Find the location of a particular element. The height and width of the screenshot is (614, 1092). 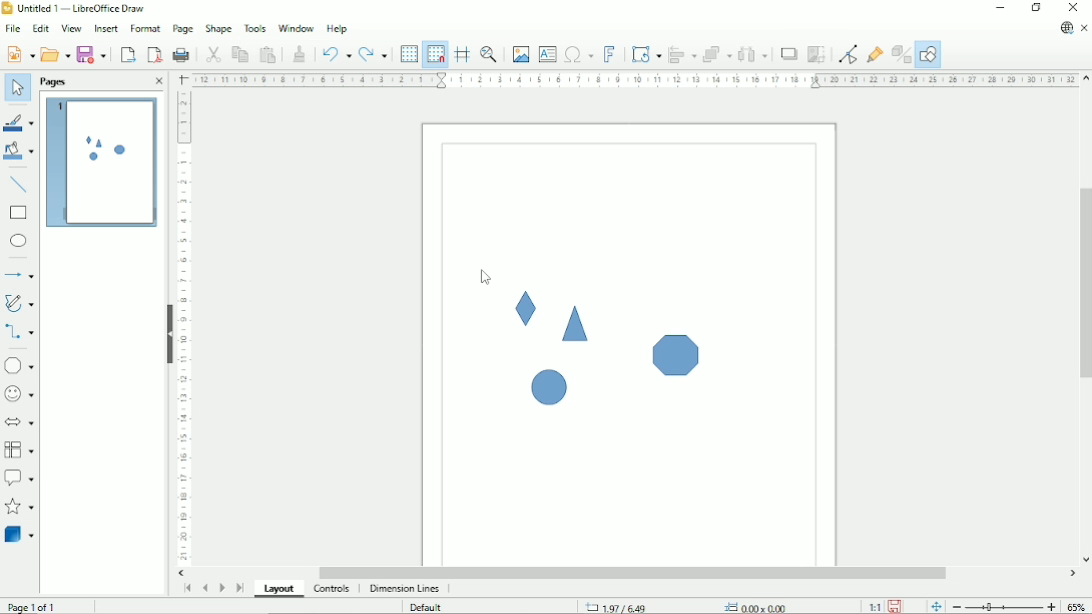

Lines and arrows is located at coordinates (21, 276).